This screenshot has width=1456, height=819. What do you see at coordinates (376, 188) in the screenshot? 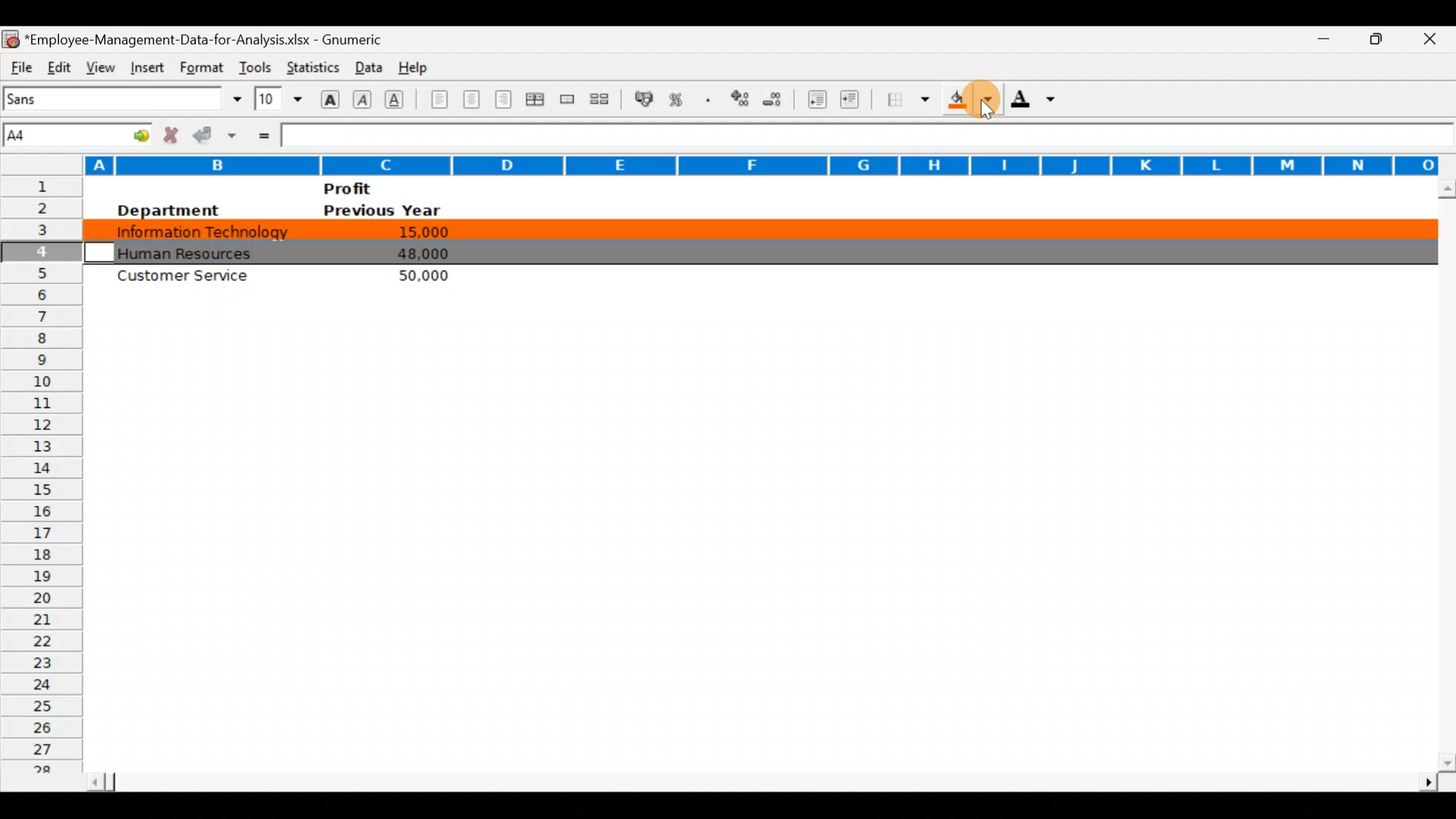
I see `Profit` at bounding box center [376, 188].